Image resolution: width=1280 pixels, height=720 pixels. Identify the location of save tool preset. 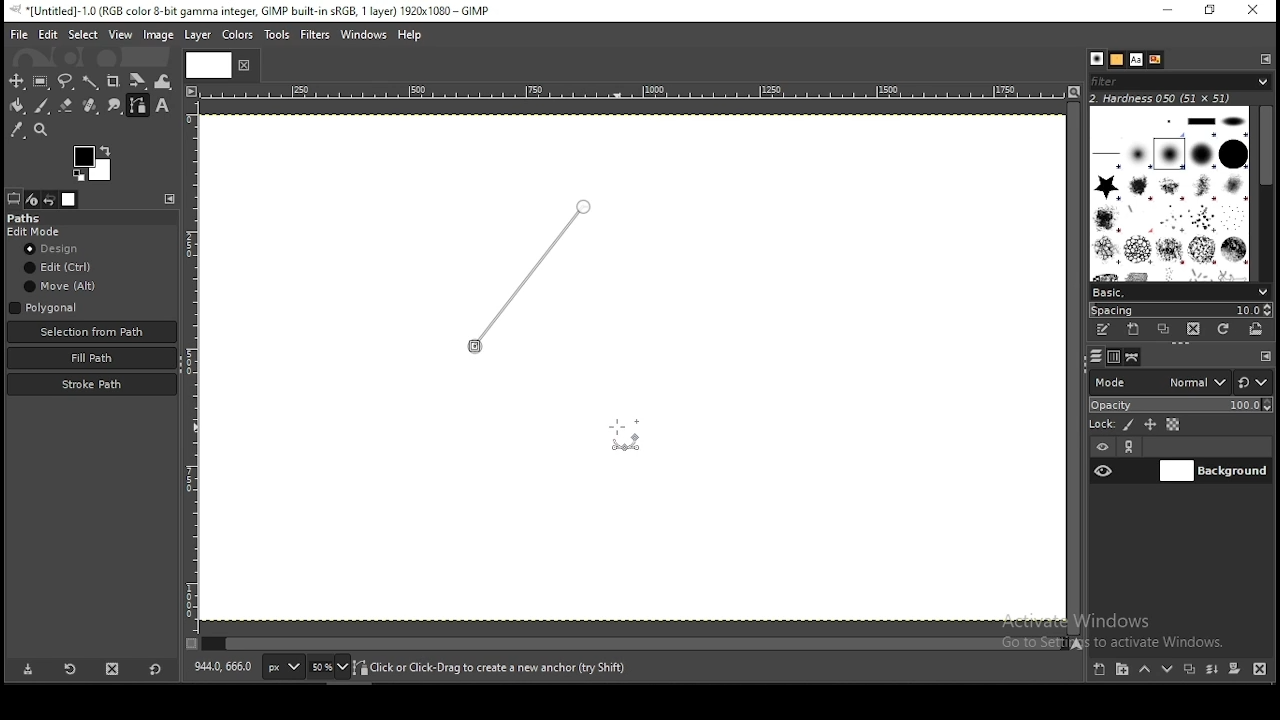
(25, 670).